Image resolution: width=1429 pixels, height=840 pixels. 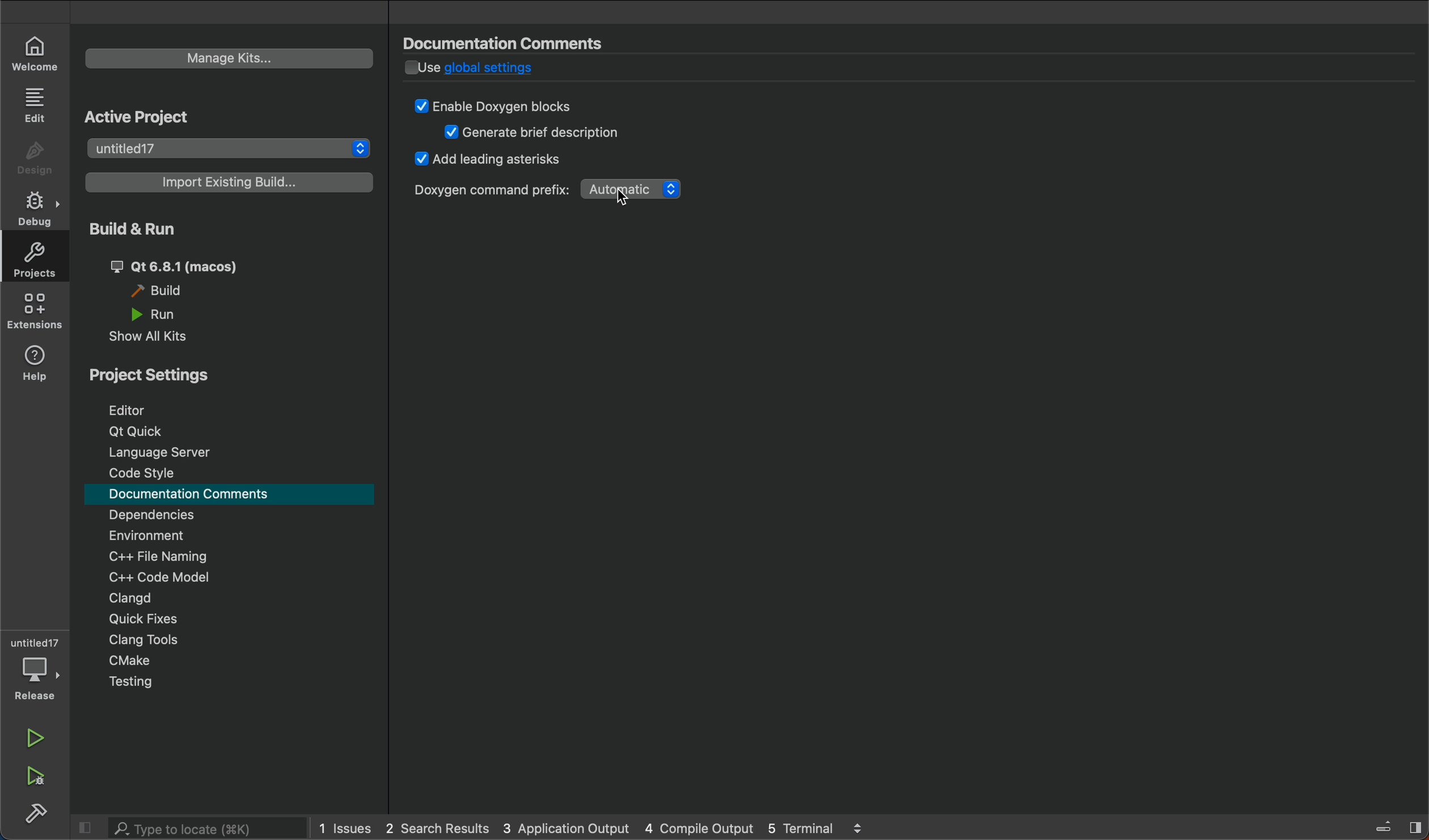 I want to click on code style, so click(x=144, y=473).